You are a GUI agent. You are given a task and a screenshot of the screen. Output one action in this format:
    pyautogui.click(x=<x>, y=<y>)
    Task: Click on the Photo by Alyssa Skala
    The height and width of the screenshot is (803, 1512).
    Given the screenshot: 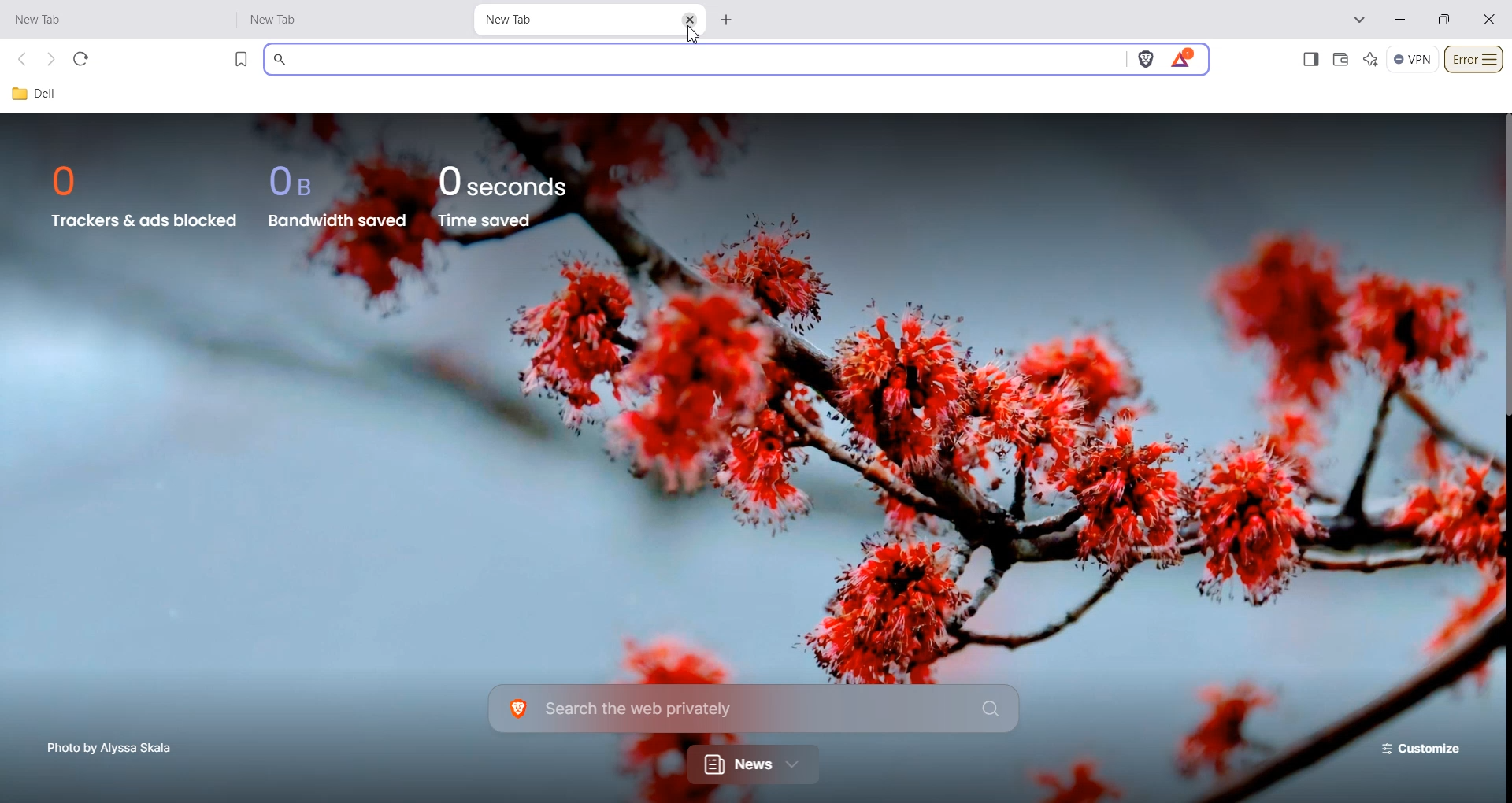 What is the action you would take?
    pyautogui.click(x=110, y=745)
    